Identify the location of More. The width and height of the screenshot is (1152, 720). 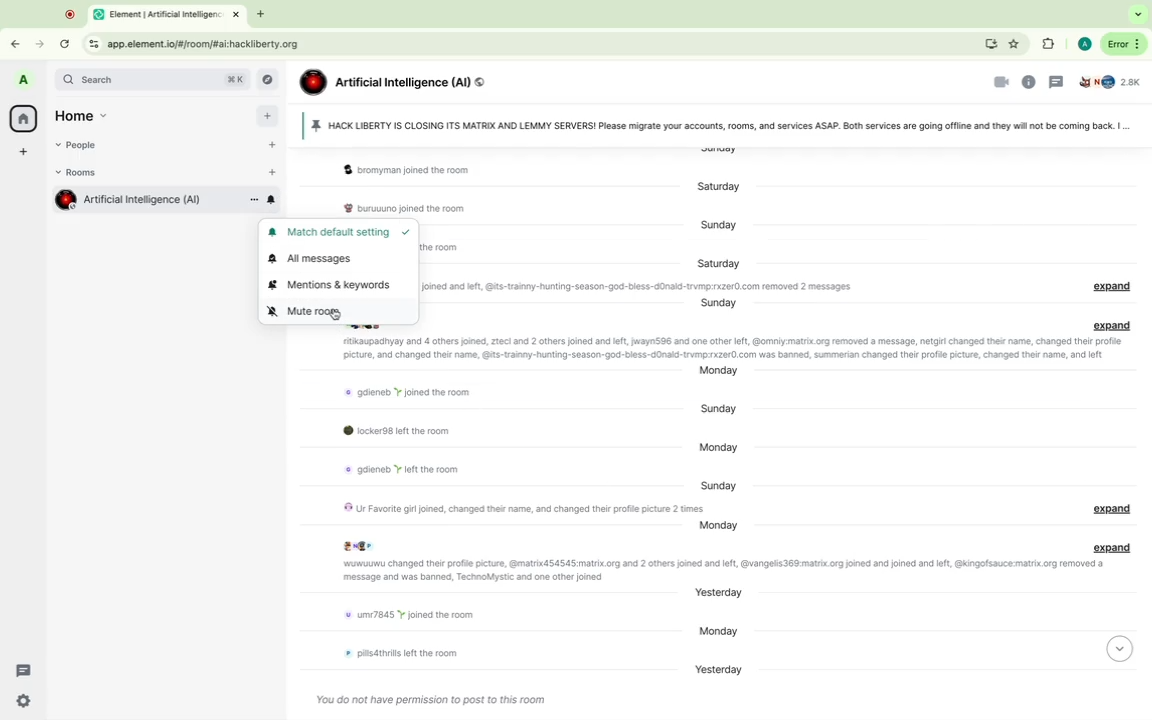
(1124, 43).